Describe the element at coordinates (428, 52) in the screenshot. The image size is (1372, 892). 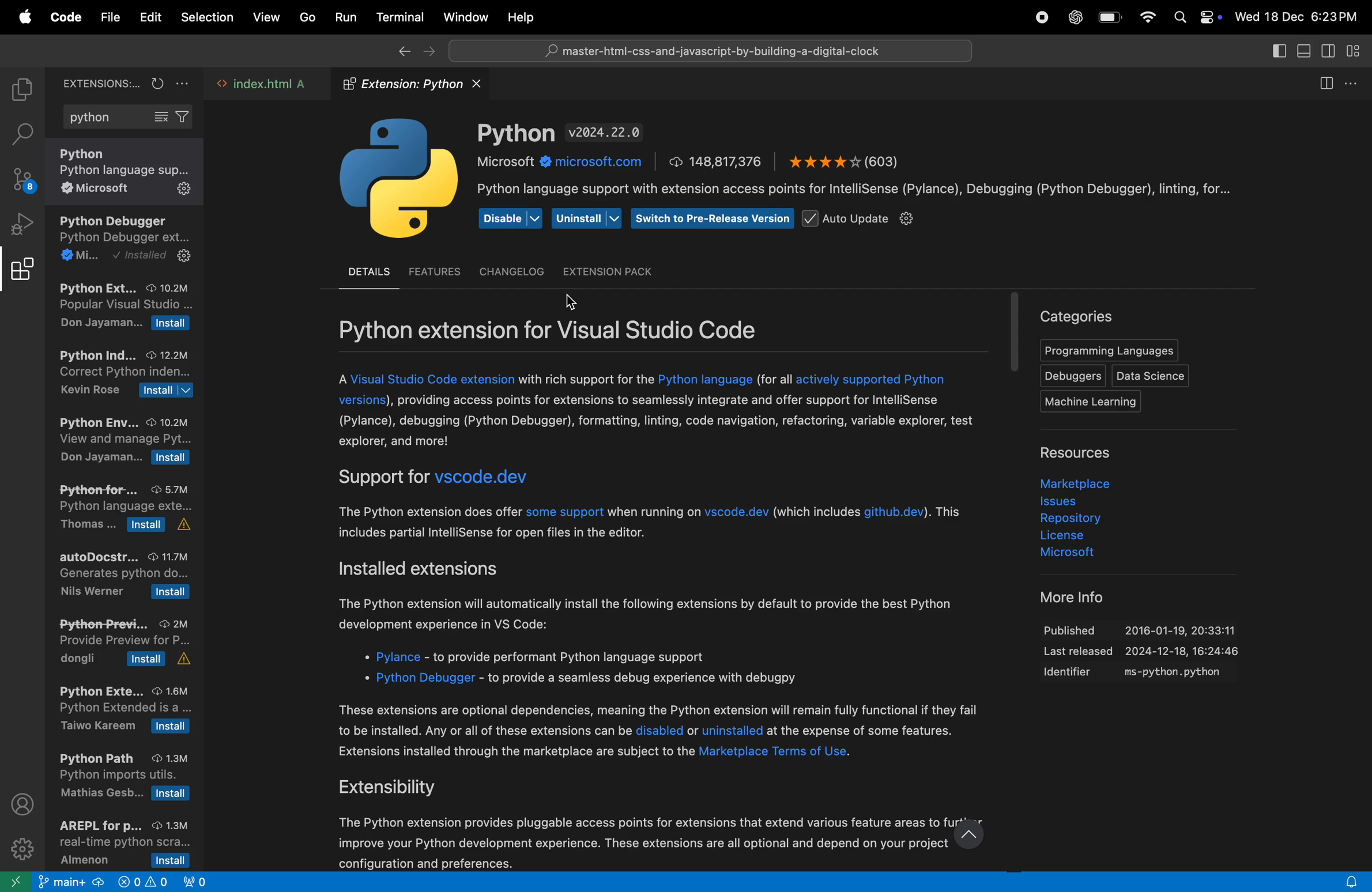
I see `forward` at that location.